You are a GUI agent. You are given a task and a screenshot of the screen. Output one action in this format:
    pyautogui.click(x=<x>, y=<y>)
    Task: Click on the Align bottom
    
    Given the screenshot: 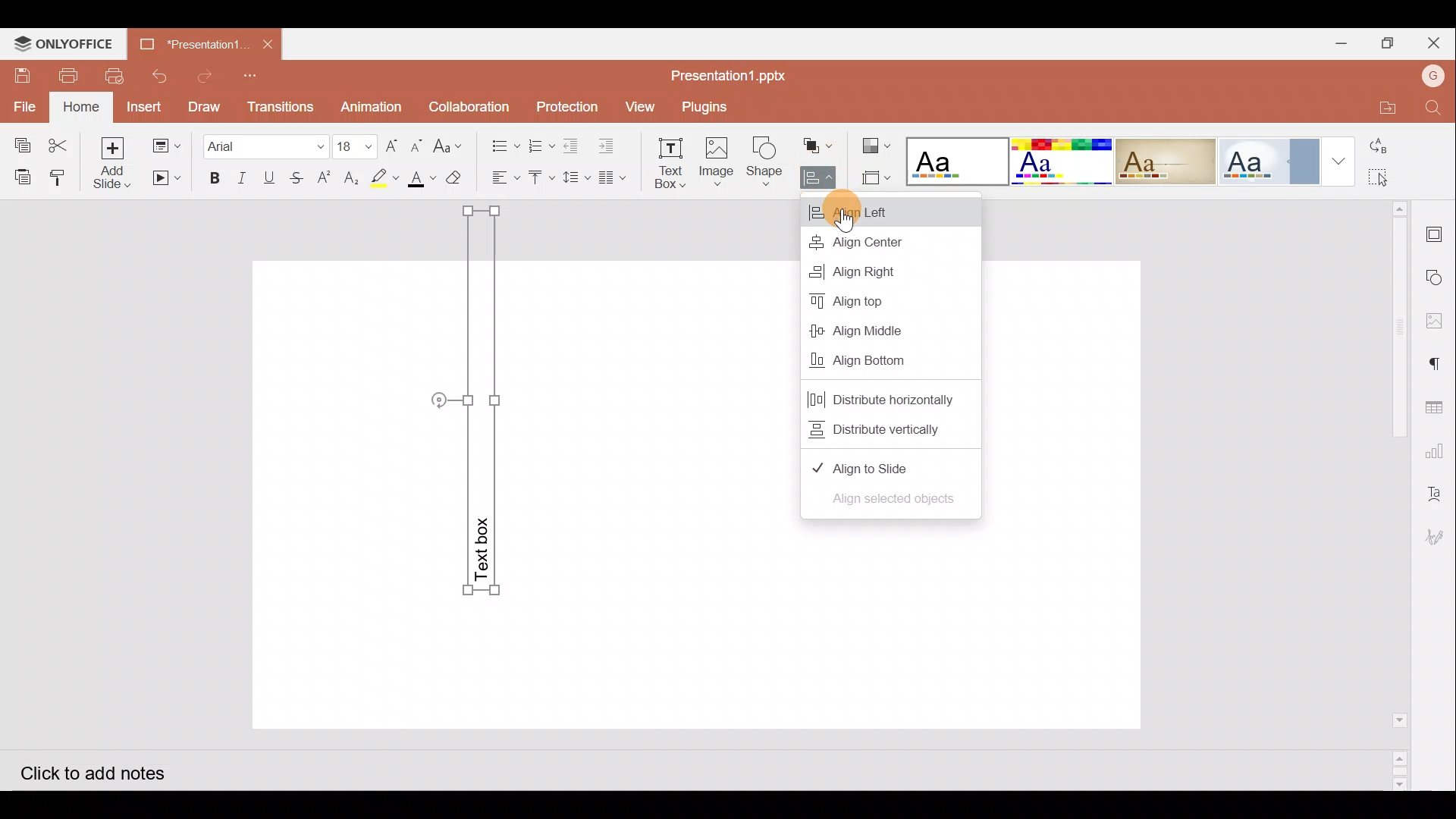 What is the action you would take?
    pyautogui.click(x=890, y=365)
    